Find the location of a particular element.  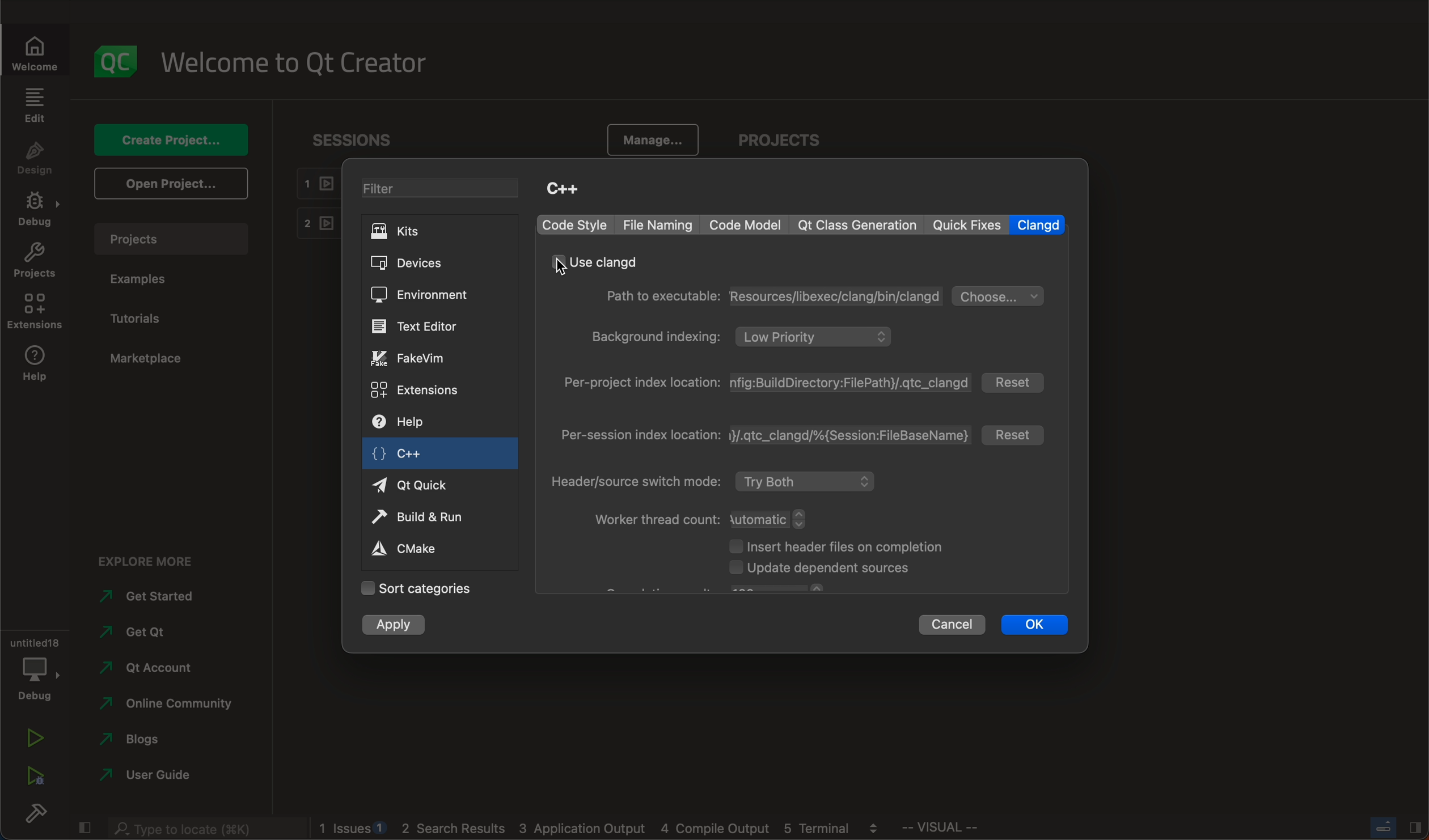

use clangd is located at coordinates (597, 264).